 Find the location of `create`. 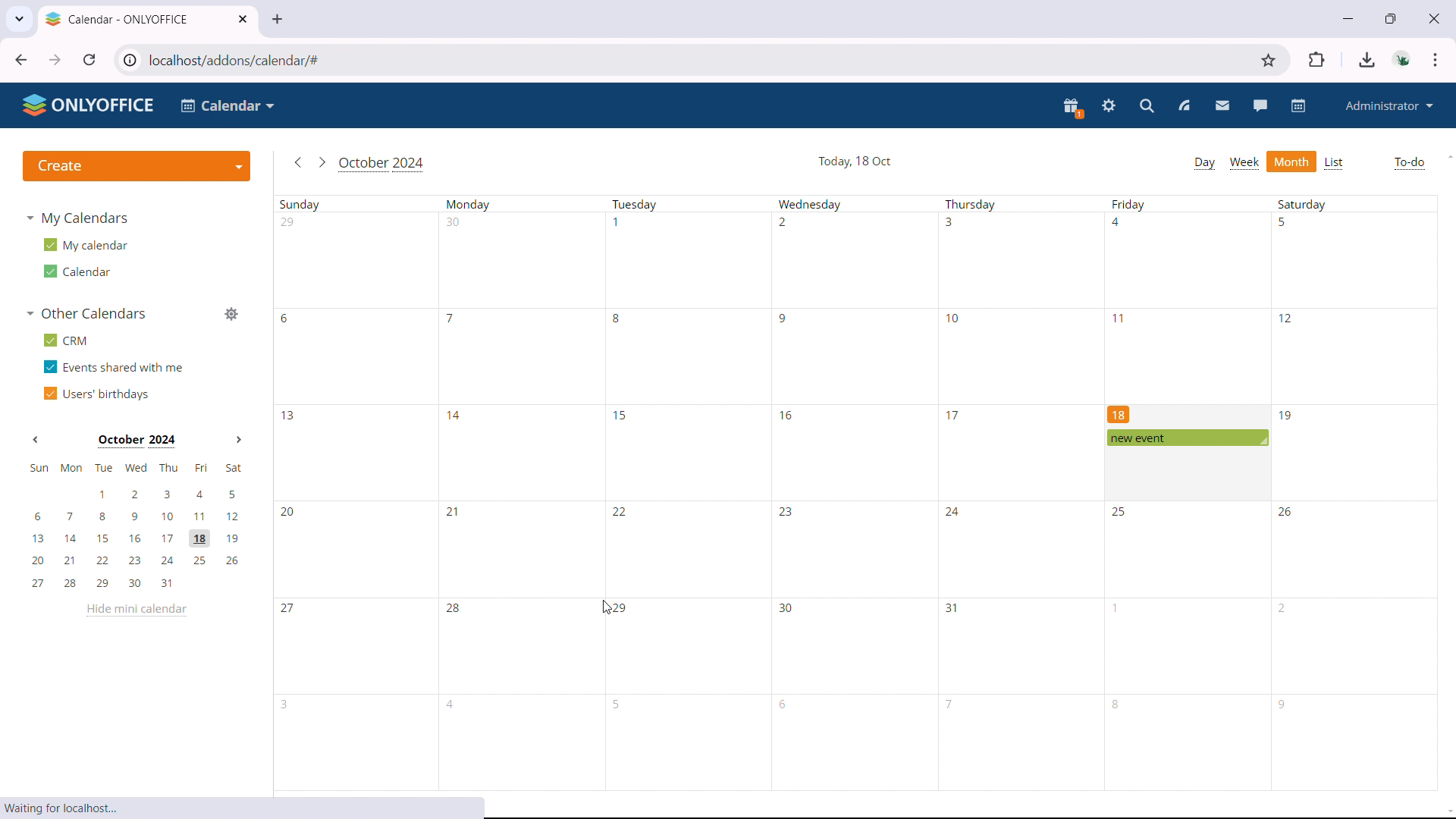

create is located at coordinates (136, 165).